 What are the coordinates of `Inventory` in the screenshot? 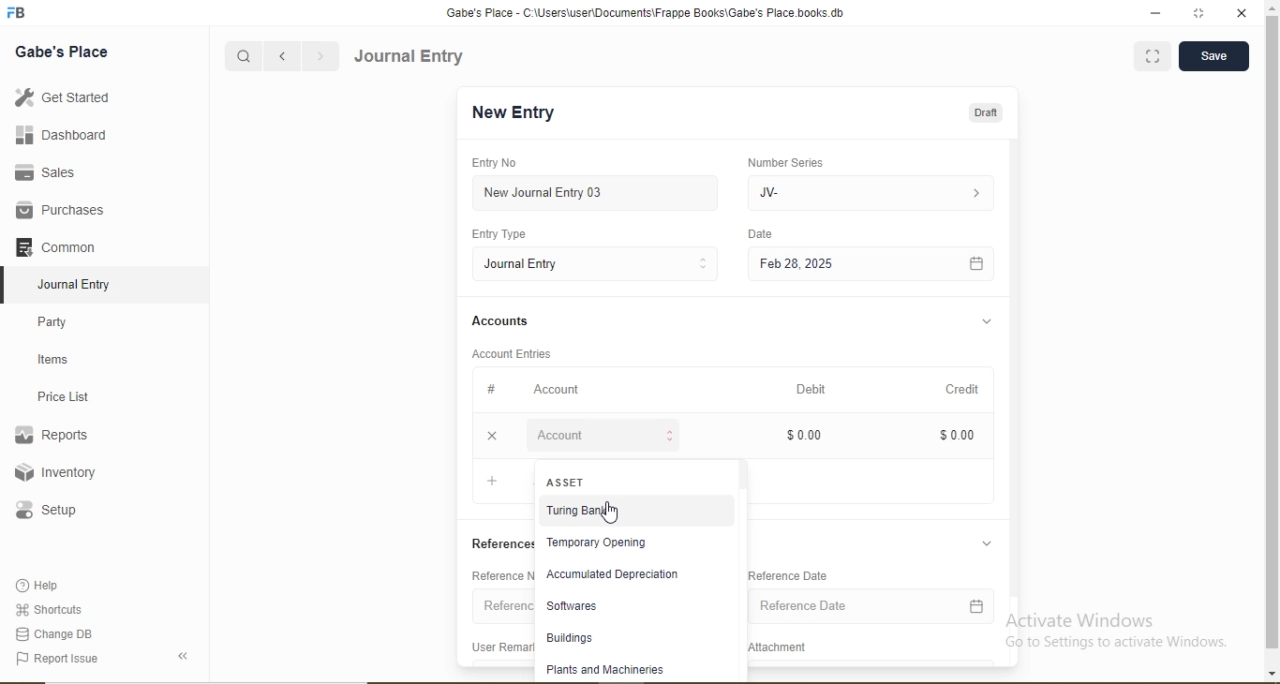 It's located at (56, 472).